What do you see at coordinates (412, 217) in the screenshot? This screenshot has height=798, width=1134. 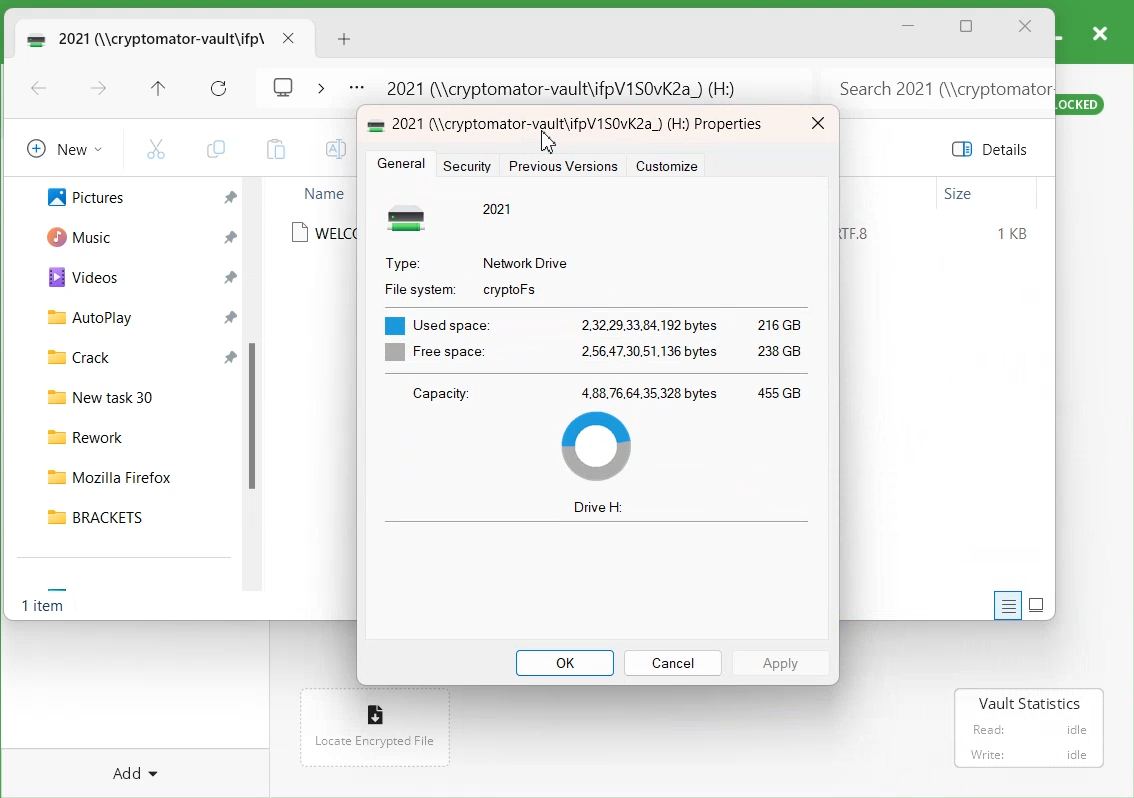 I see `icon` at bounding box center [412, 217].